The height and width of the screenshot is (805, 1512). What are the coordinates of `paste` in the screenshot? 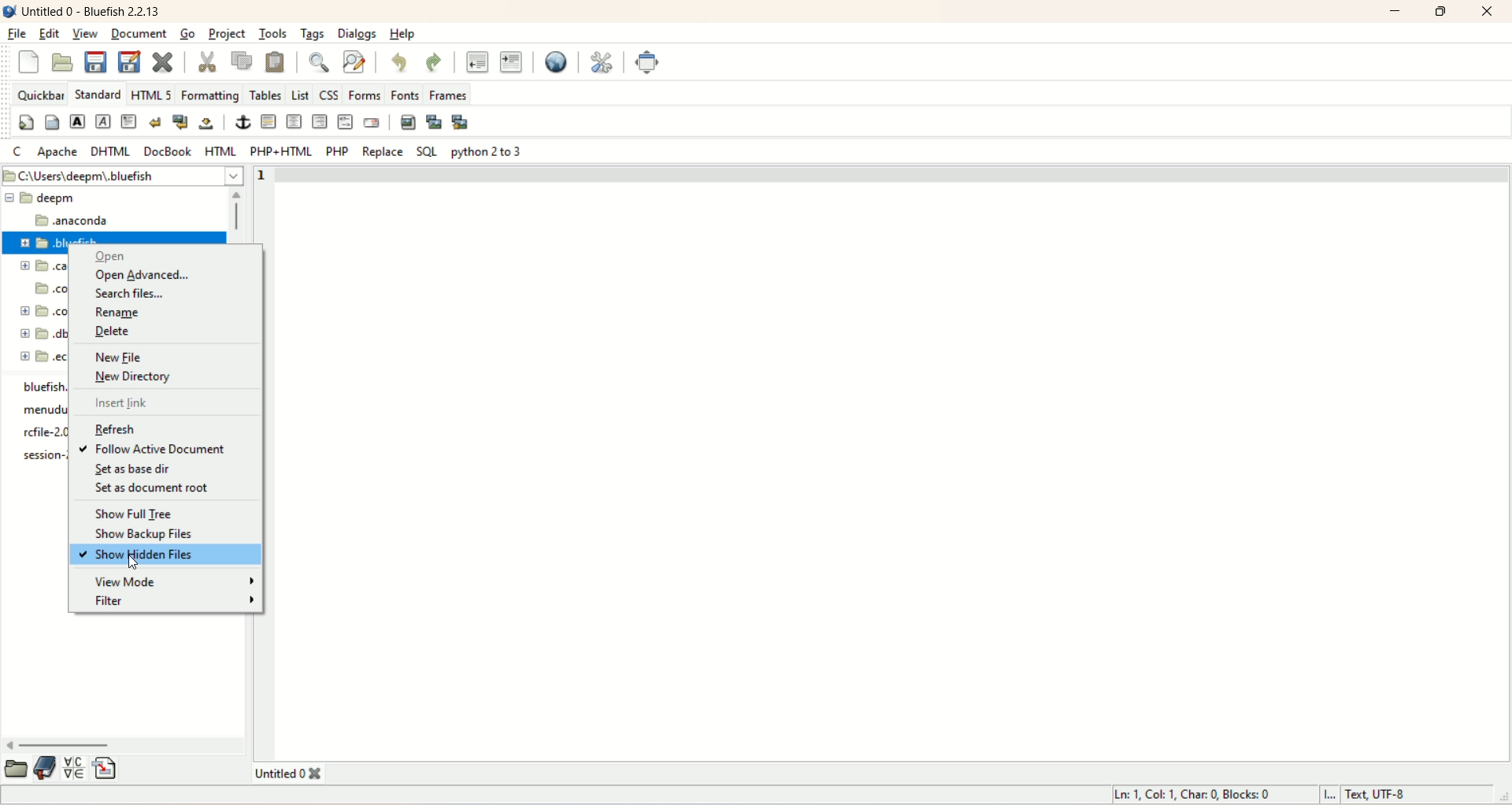 It's located at (277, 61).